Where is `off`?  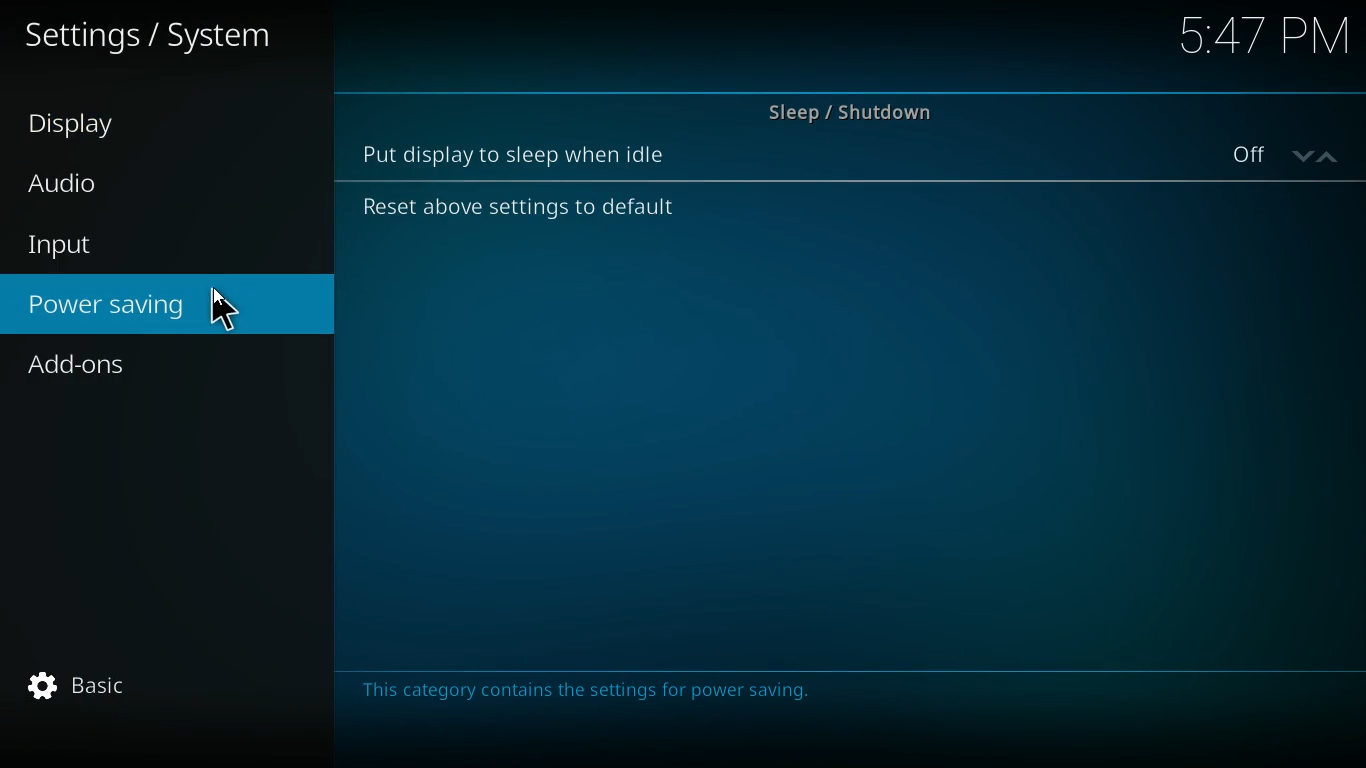 off is located at coordinates (1293, 158).